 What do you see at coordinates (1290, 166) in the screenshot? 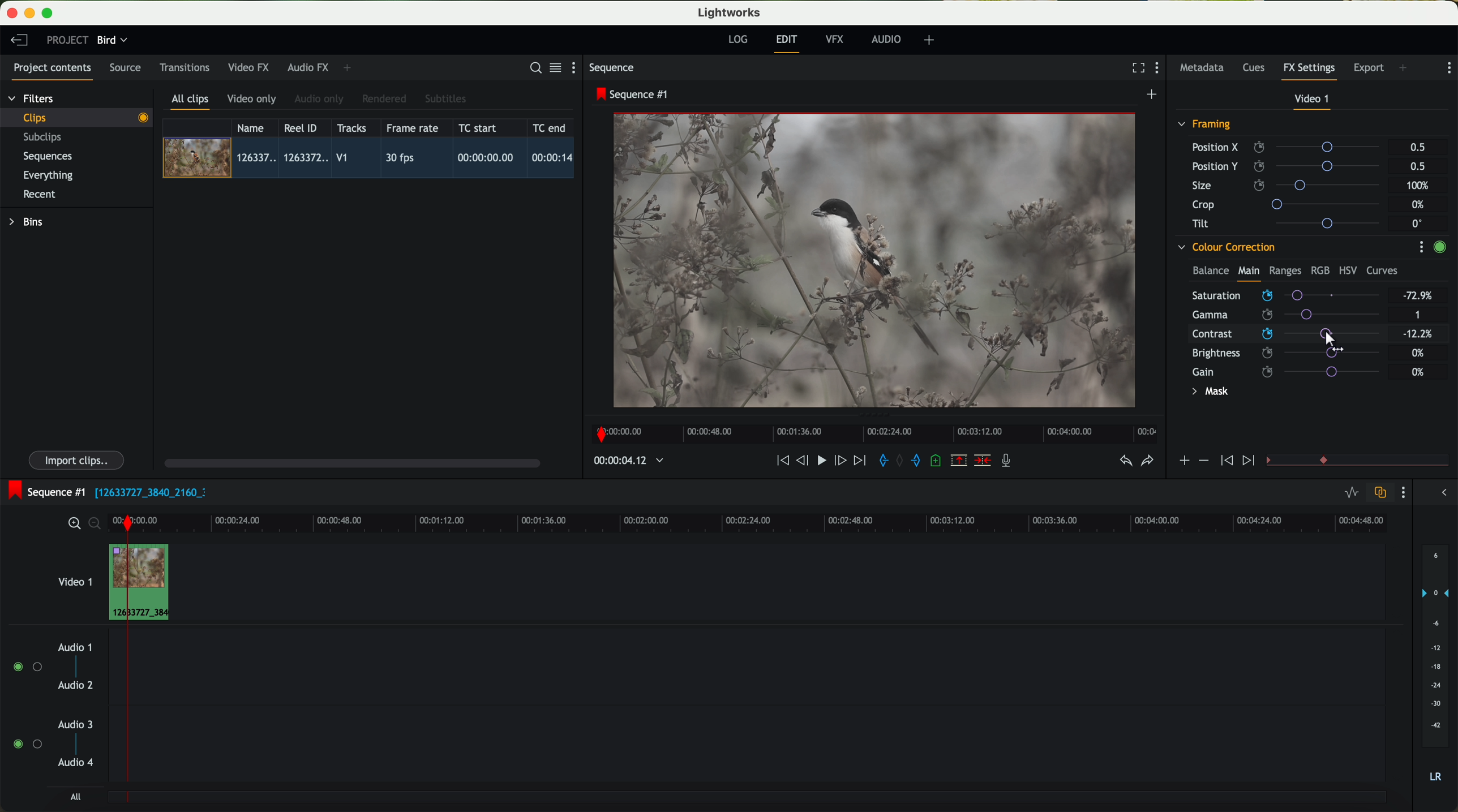
I see `position Y` at bounding box center [1290, 166].